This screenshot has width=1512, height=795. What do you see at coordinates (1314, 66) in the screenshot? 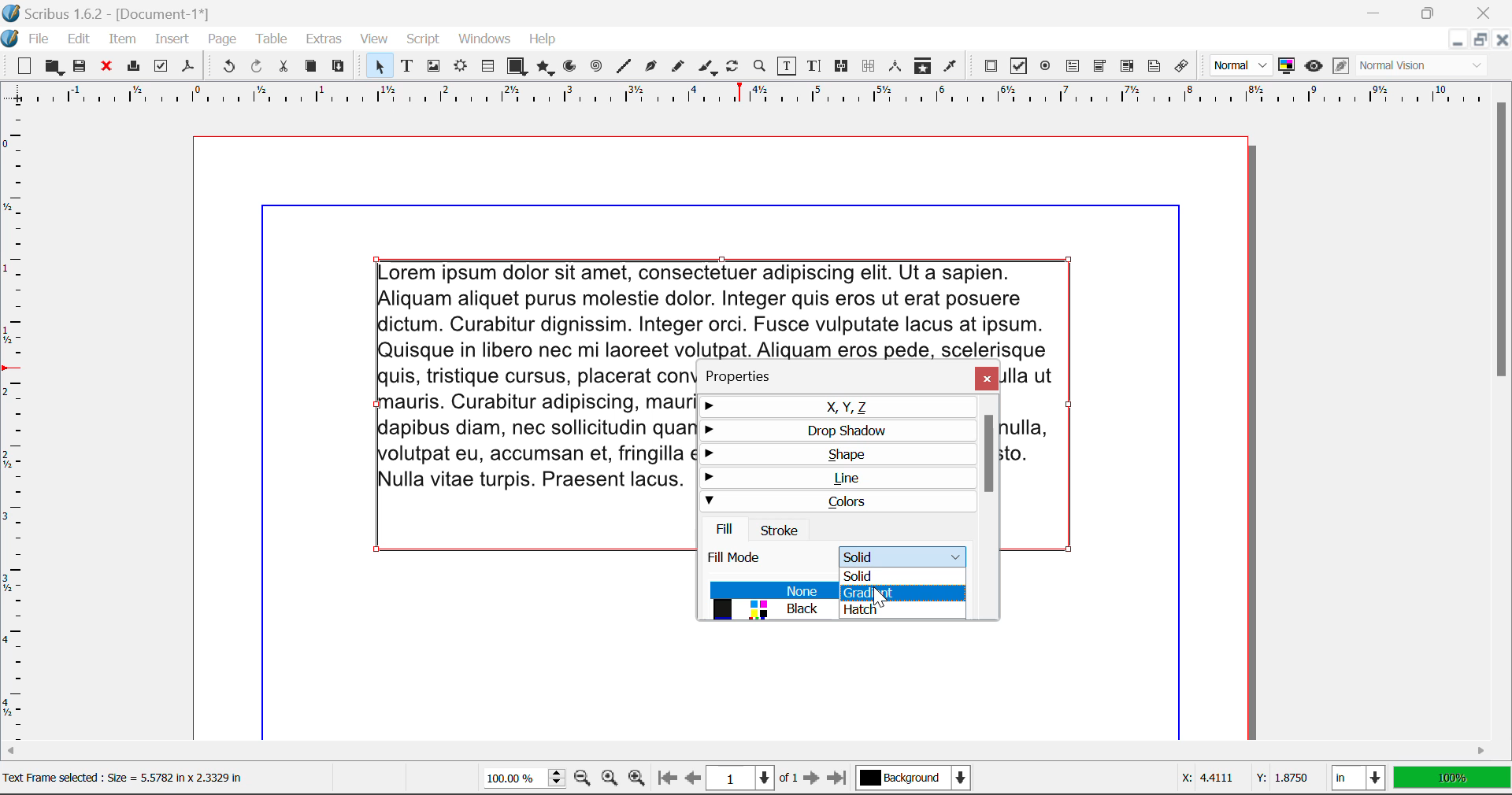
I see `Preview Mode` at bounding box center [1314, 66].